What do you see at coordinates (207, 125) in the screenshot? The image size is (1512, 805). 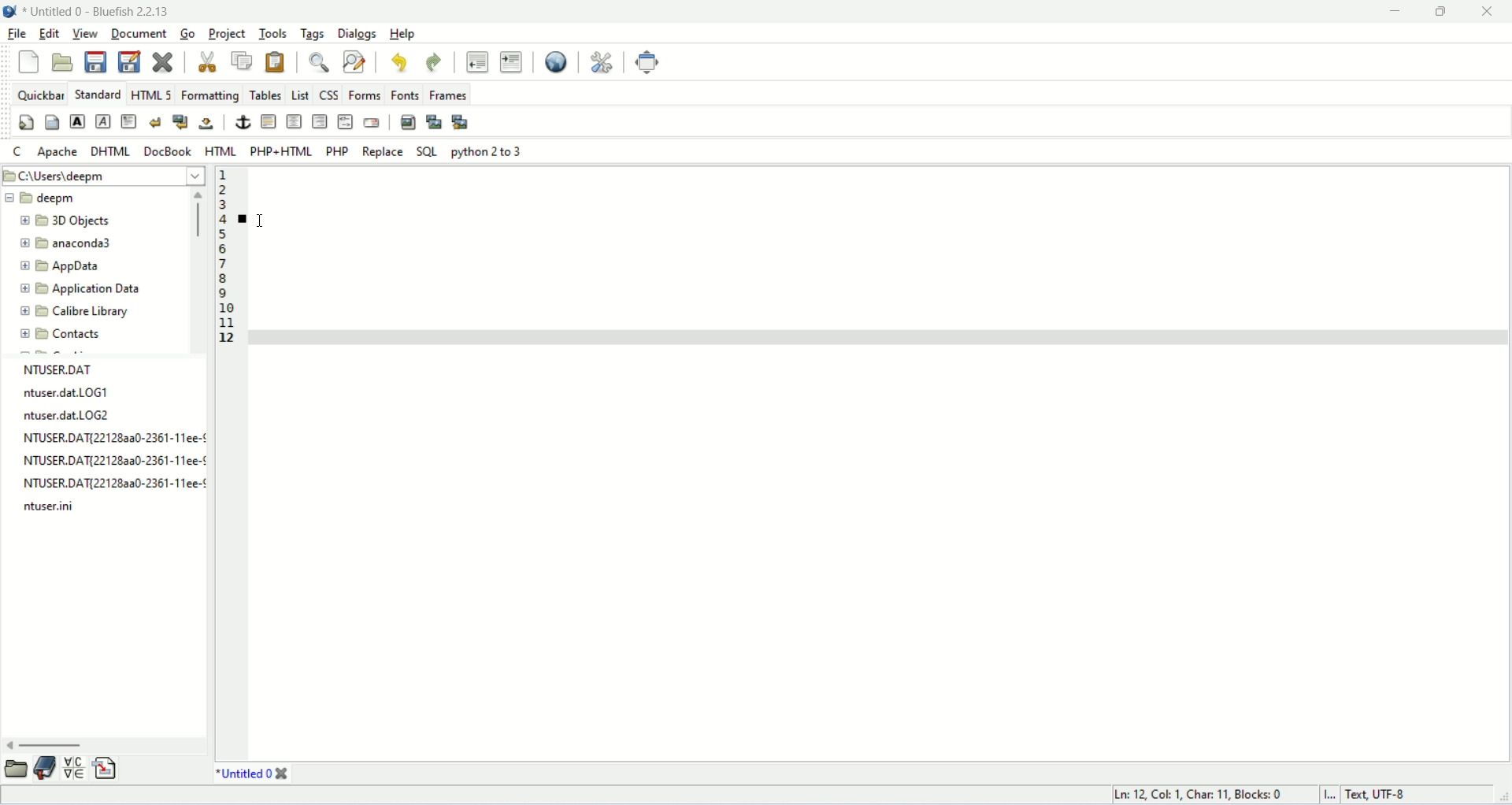 I see `non-breaking space` at bounding box center [207, 125].